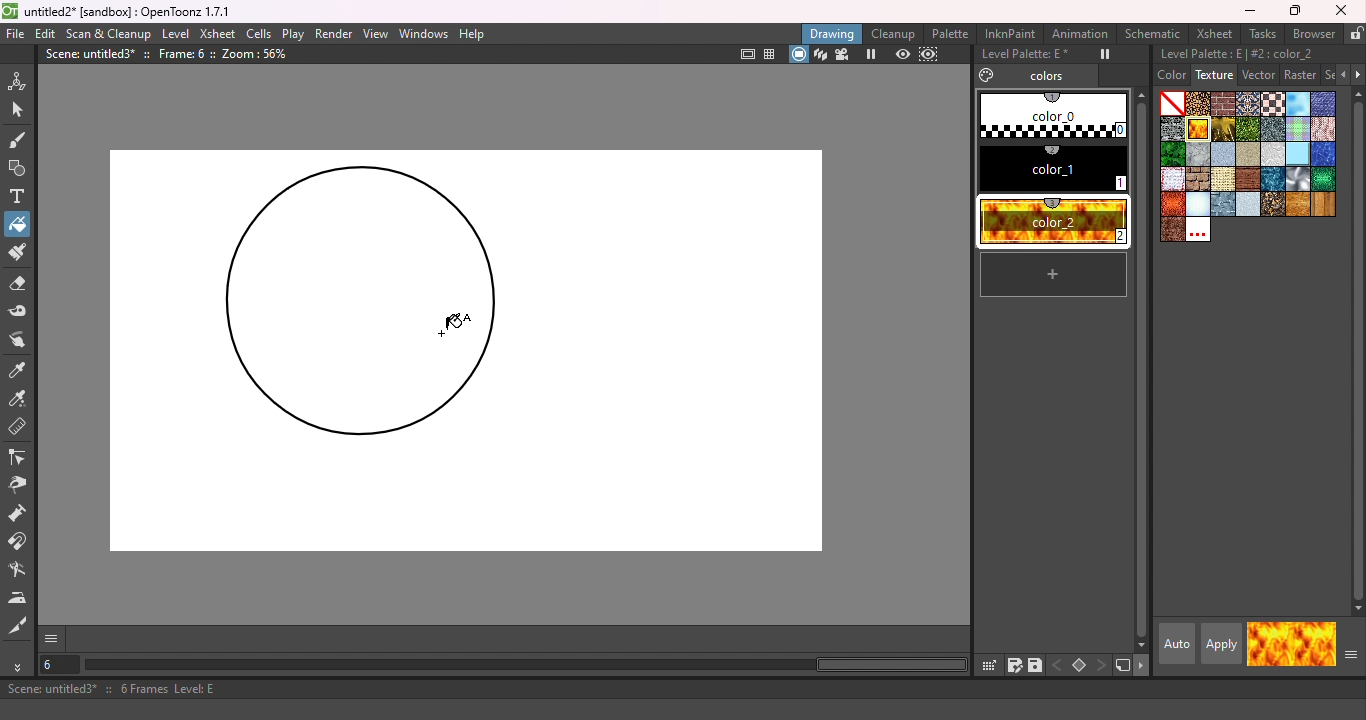 The image size is (1366, 720). Describe the element at coordinates (1248, 154) in the screenshot. I see `Paper 4.bmp` at that location.